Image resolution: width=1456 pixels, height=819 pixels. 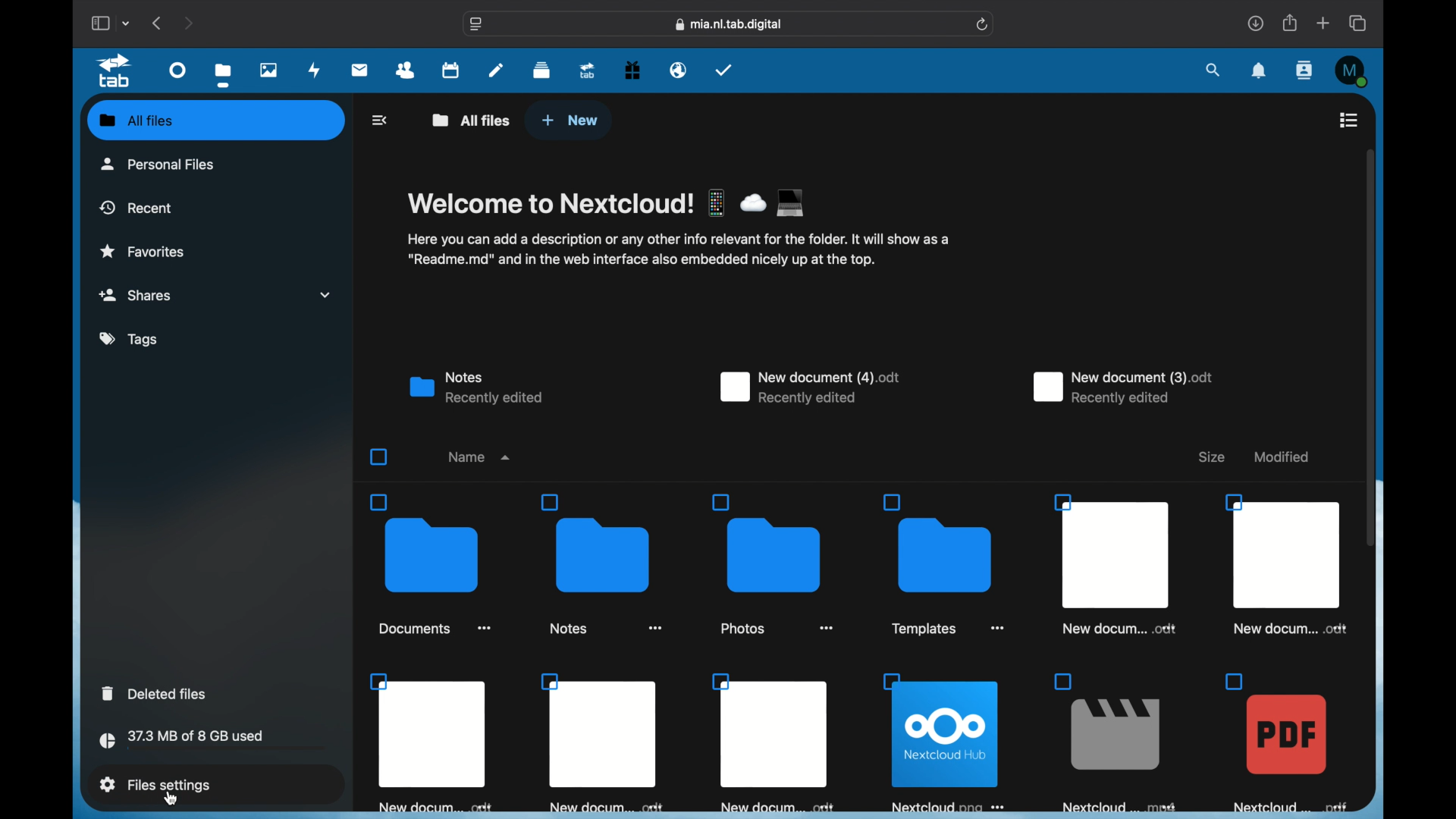 What do you see at coordinates (223, 76) in the screenshot?
I see `files` at bounding box center [223, 76].